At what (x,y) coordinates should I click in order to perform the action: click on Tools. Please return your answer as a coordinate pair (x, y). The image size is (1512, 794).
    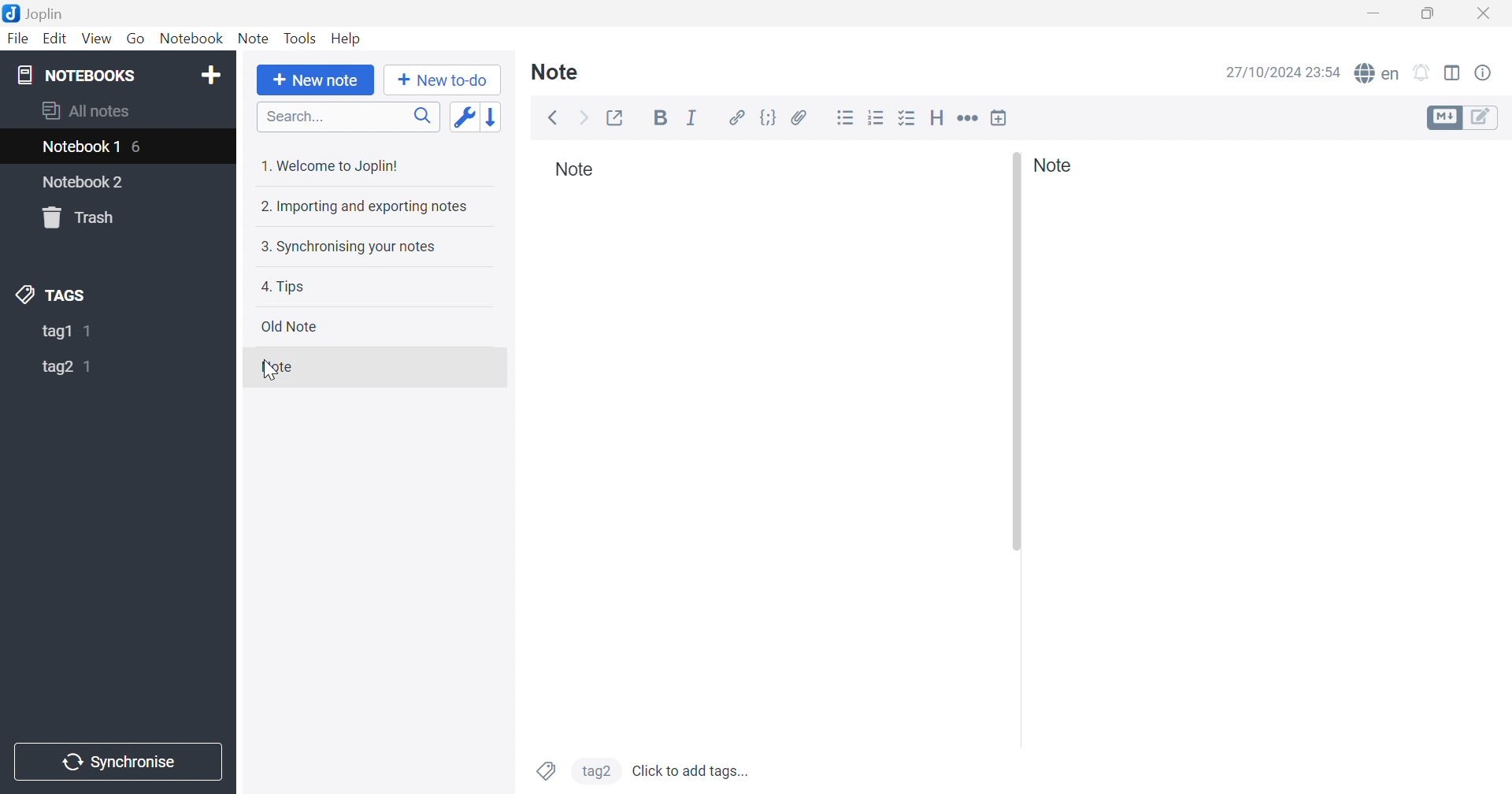
    Looking at the image, I should click on (298, 38).